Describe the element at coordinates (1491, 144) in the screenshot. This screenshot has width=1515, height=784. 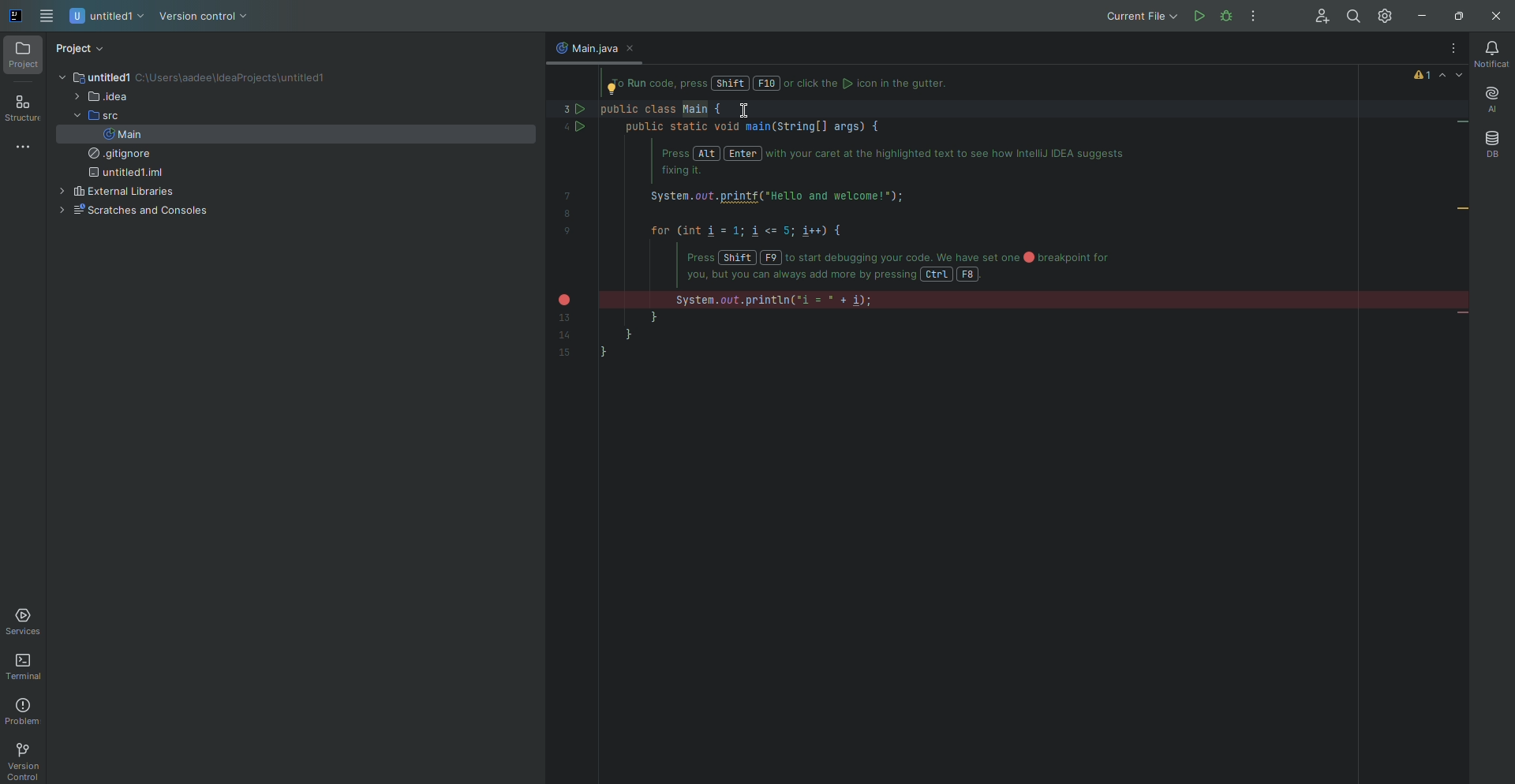
I see `Database` at that location.